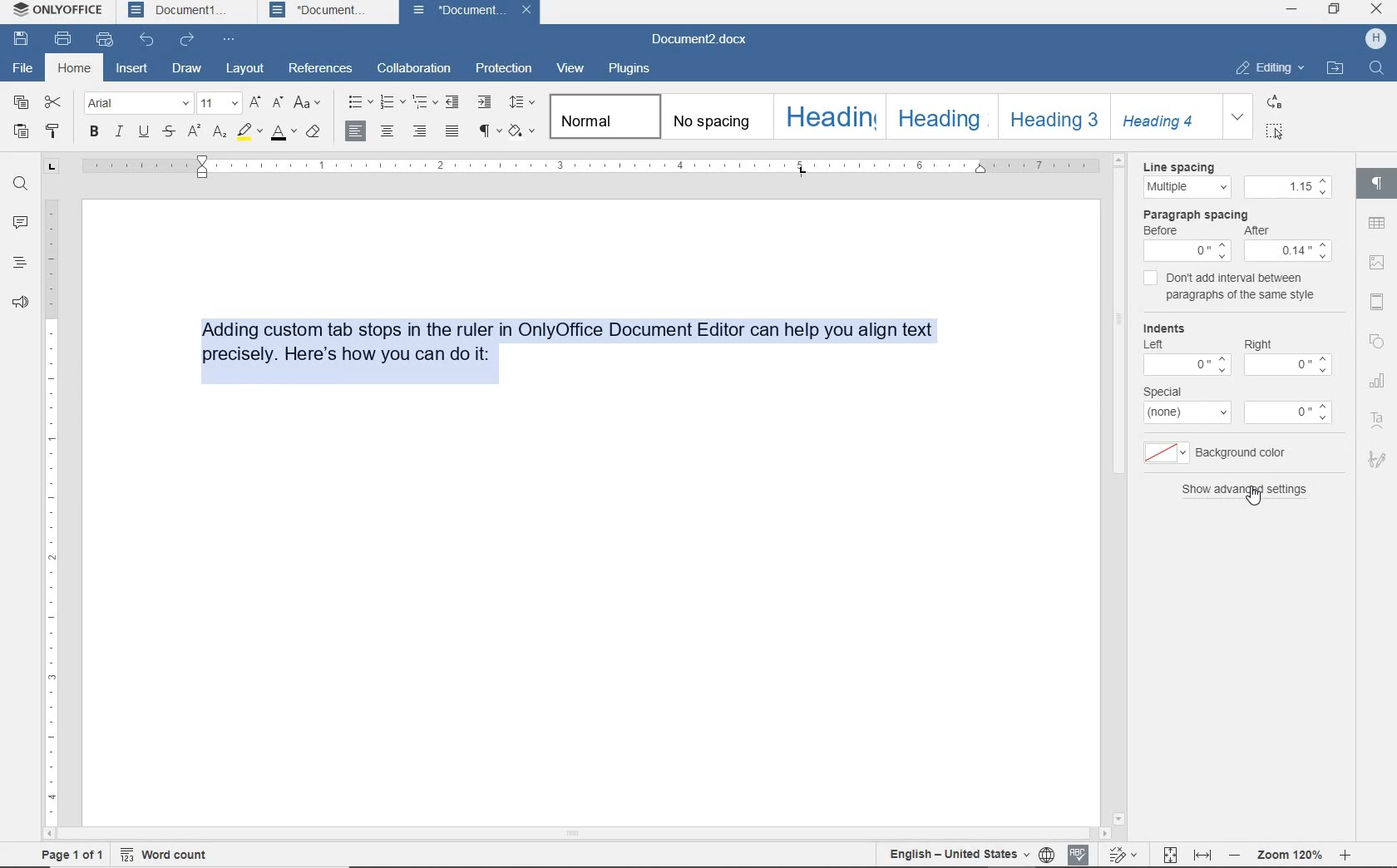 The width and height of the screenshot is (1397, 868). I want to click on font, so click(138, 103).